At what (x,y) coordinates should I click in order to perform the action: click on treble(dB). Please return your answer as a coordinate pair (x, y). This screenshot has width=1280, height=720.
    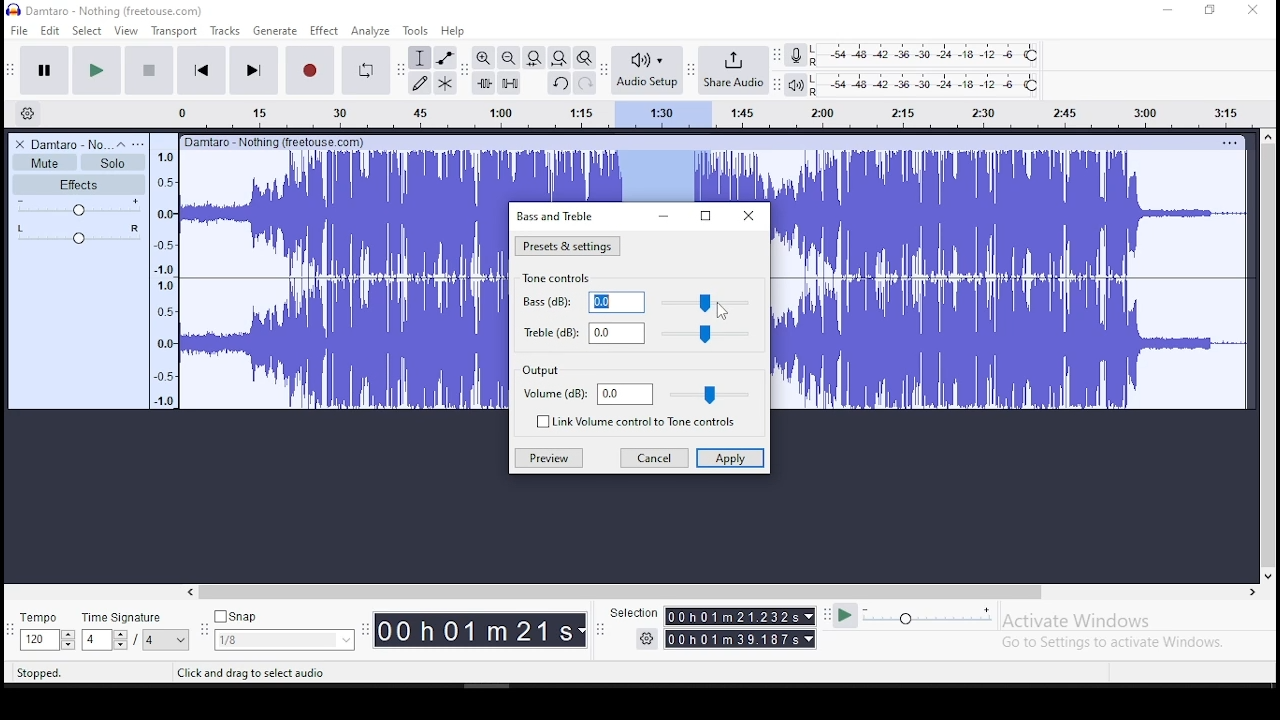
    Looking at the image, I should click on (548, 331).